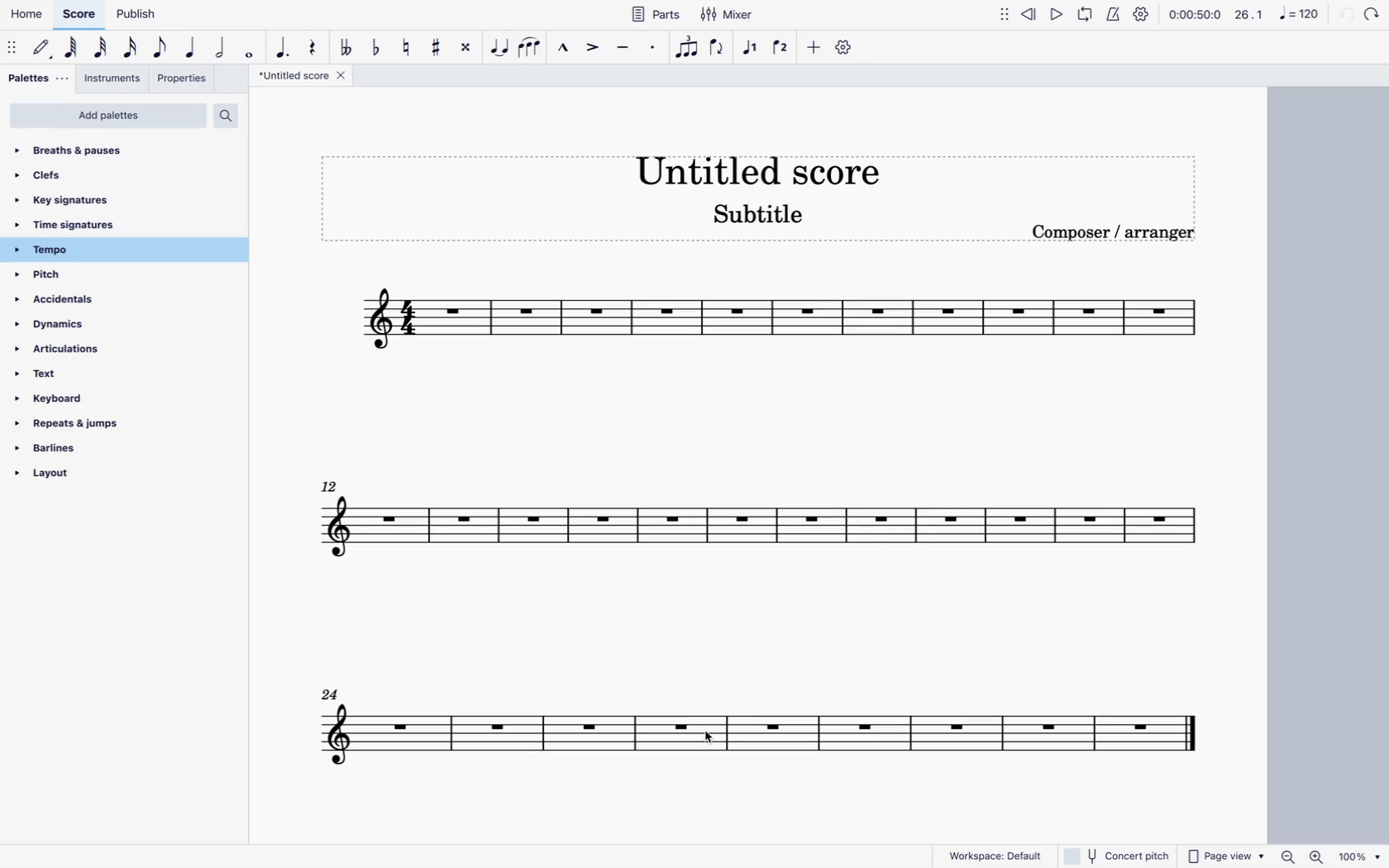  What do you see at coordinates (294, 76) in the screenshot?
I see `score title` at bounding box center [294, 76].